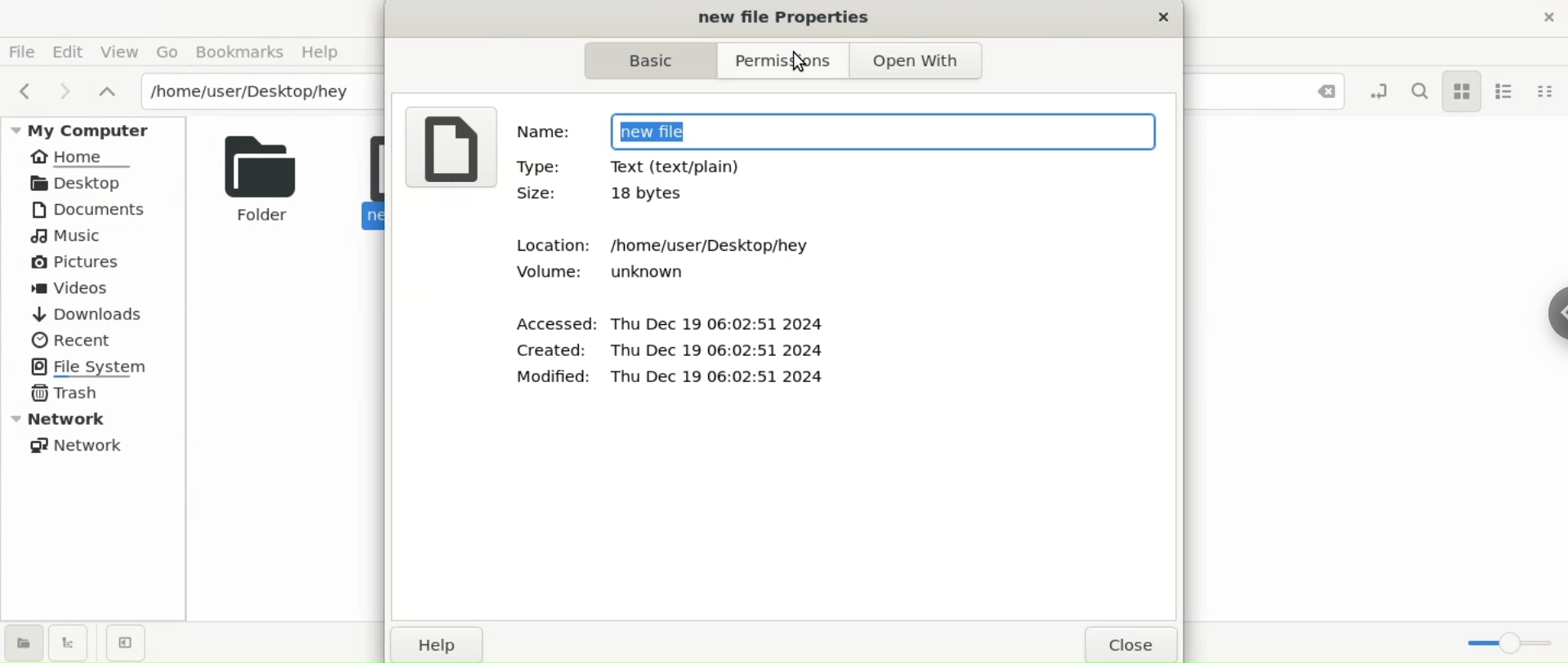  Describe the element at coordinates (777, 62) in the screenshot. I see `Permissions` at that location.